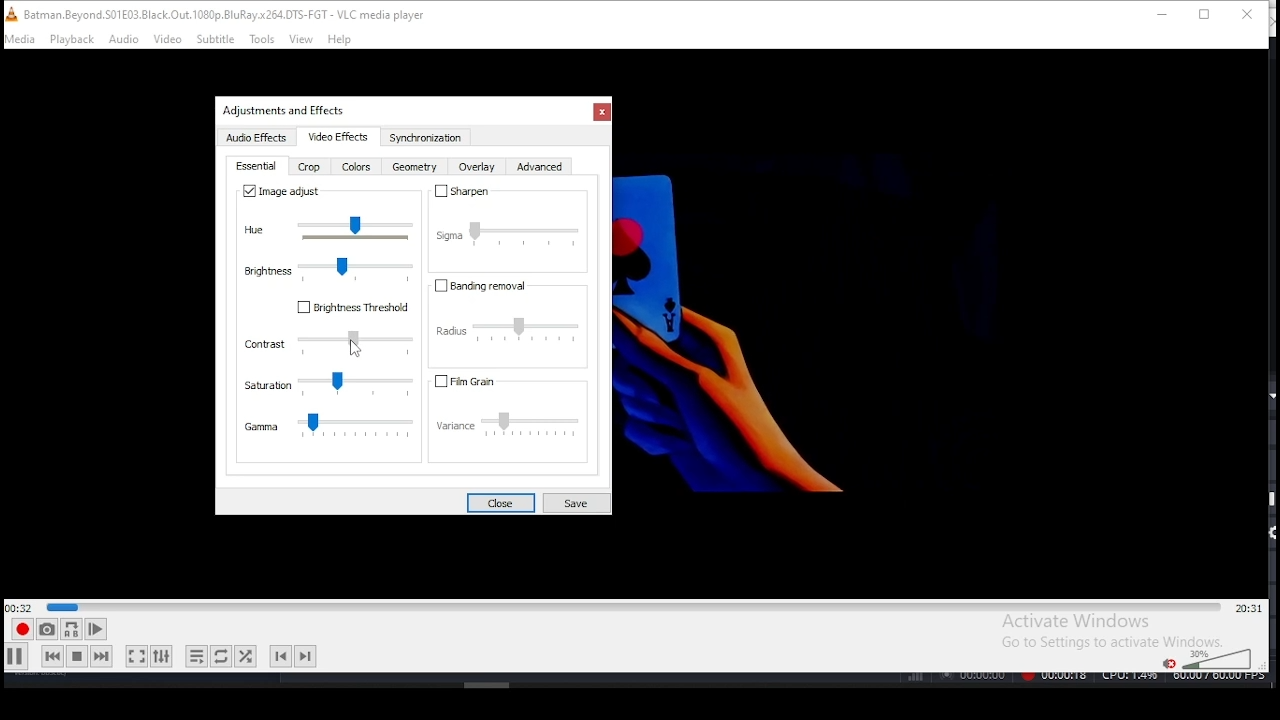 Image resolution: width=1280 pixels, height=720 pixels. Describe the element at coordinates (1216, 658) in the screenshot. I see `colume` at that location.